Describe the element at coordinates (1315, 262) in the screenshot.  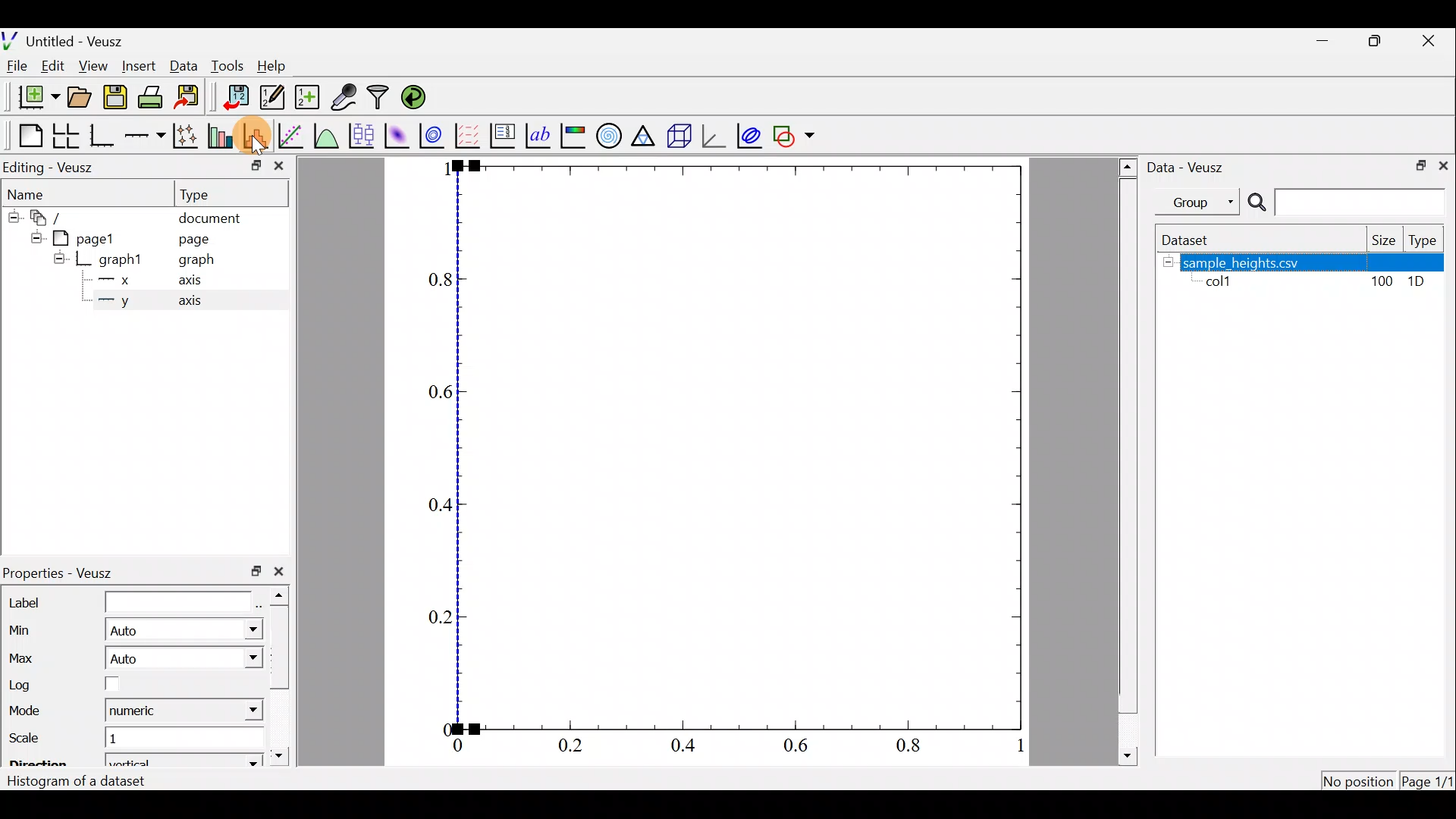
I see `sample heights.csv` at that location.